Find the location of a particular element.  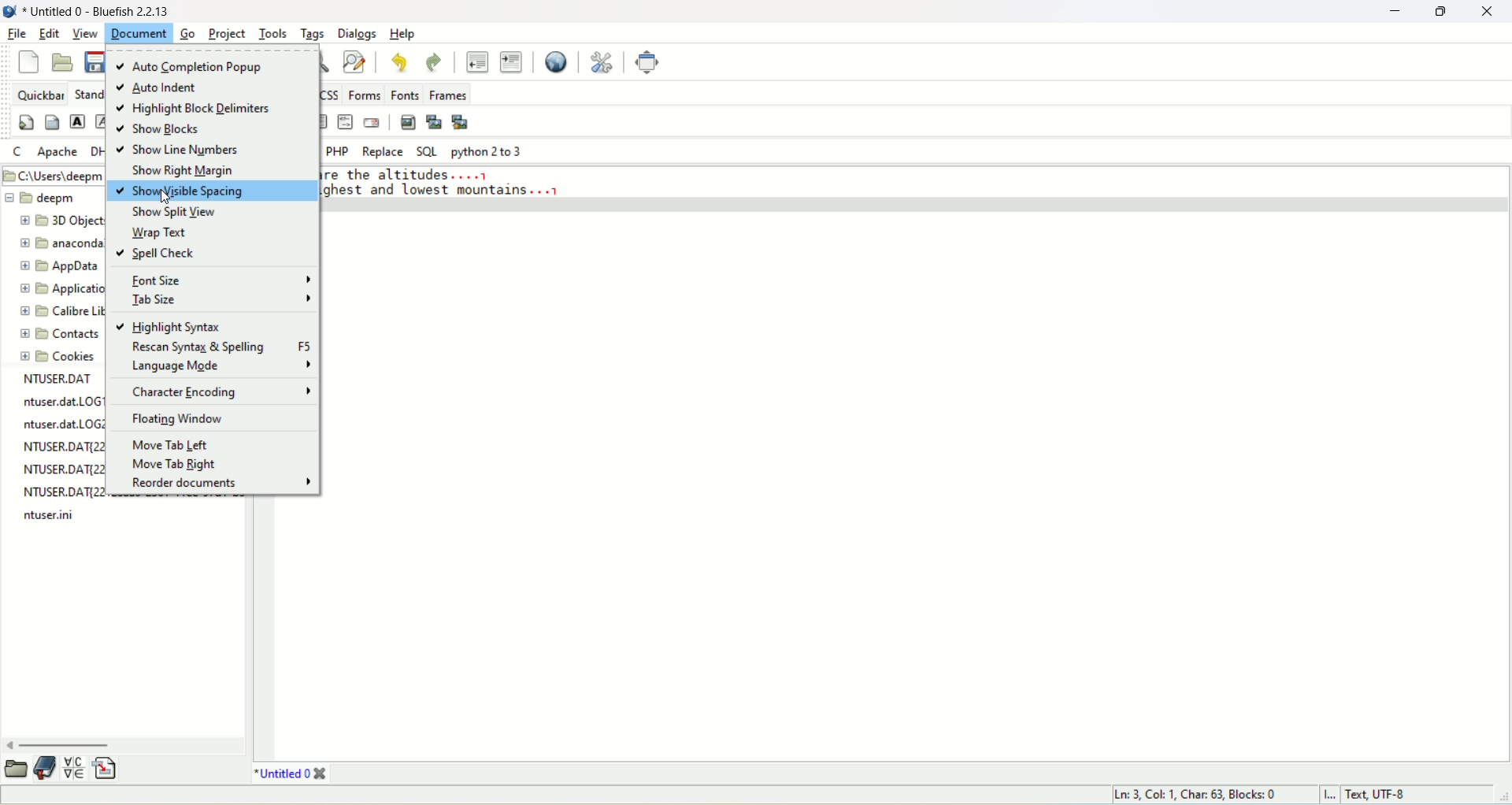

deepm is located at coordinates (45, 197).